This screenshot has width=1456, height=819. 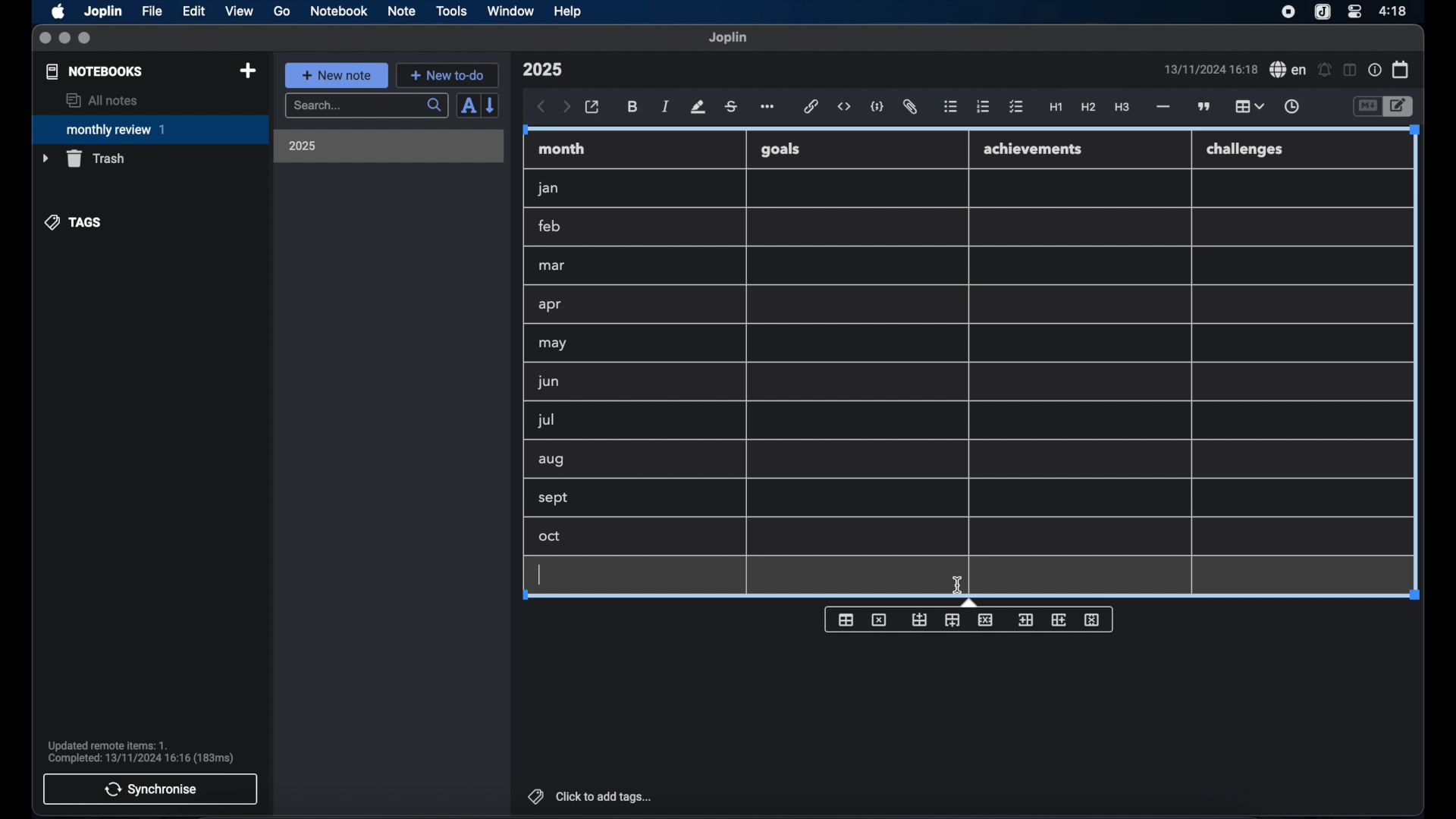 What do you see at coordinates (1246, 150) in the screenshot?
I see `challenges` at bounding box center [1246, 150].